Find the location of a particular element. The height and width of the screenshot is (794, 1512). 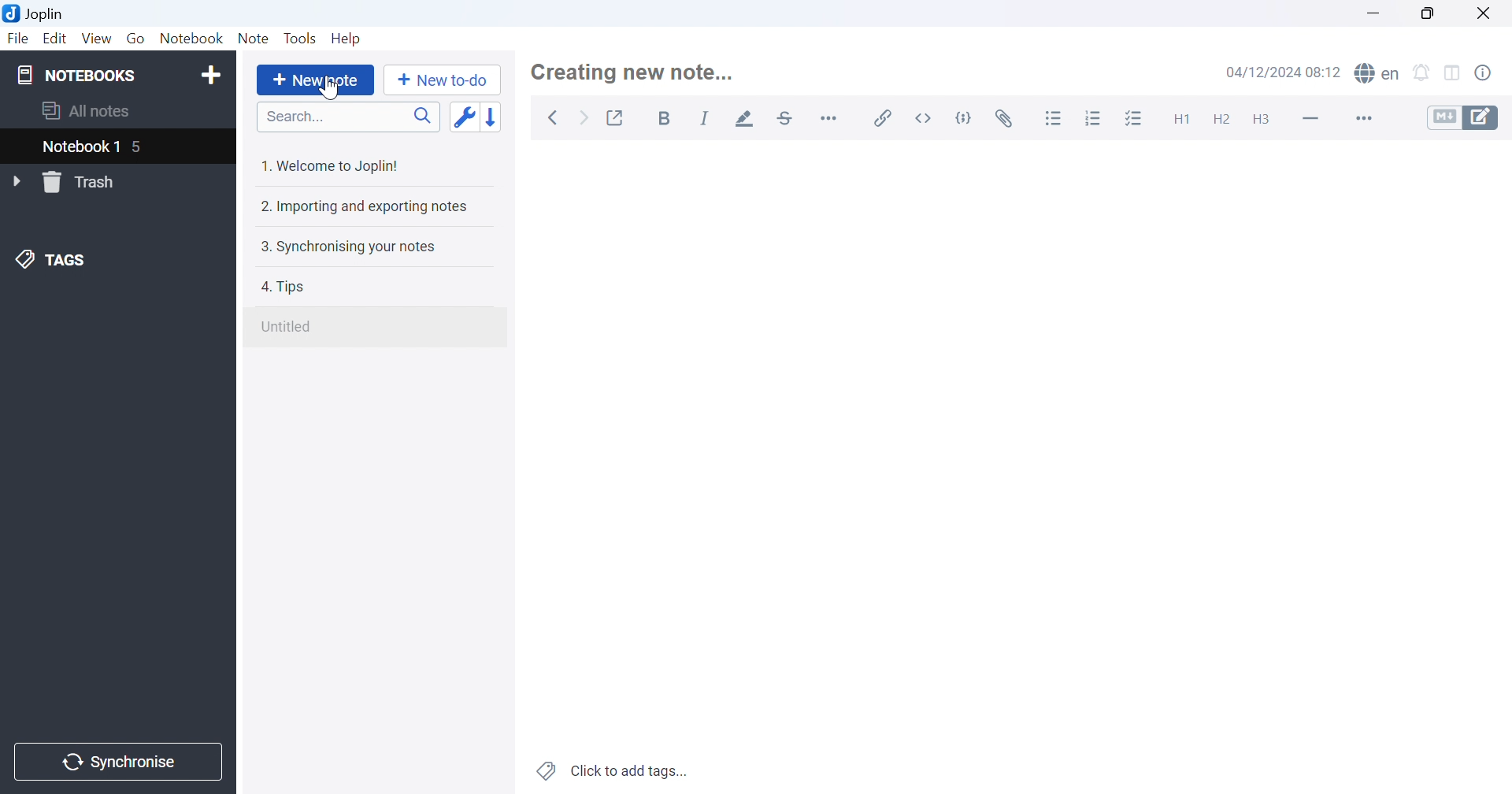

Go is located at coordinates (138, 39).